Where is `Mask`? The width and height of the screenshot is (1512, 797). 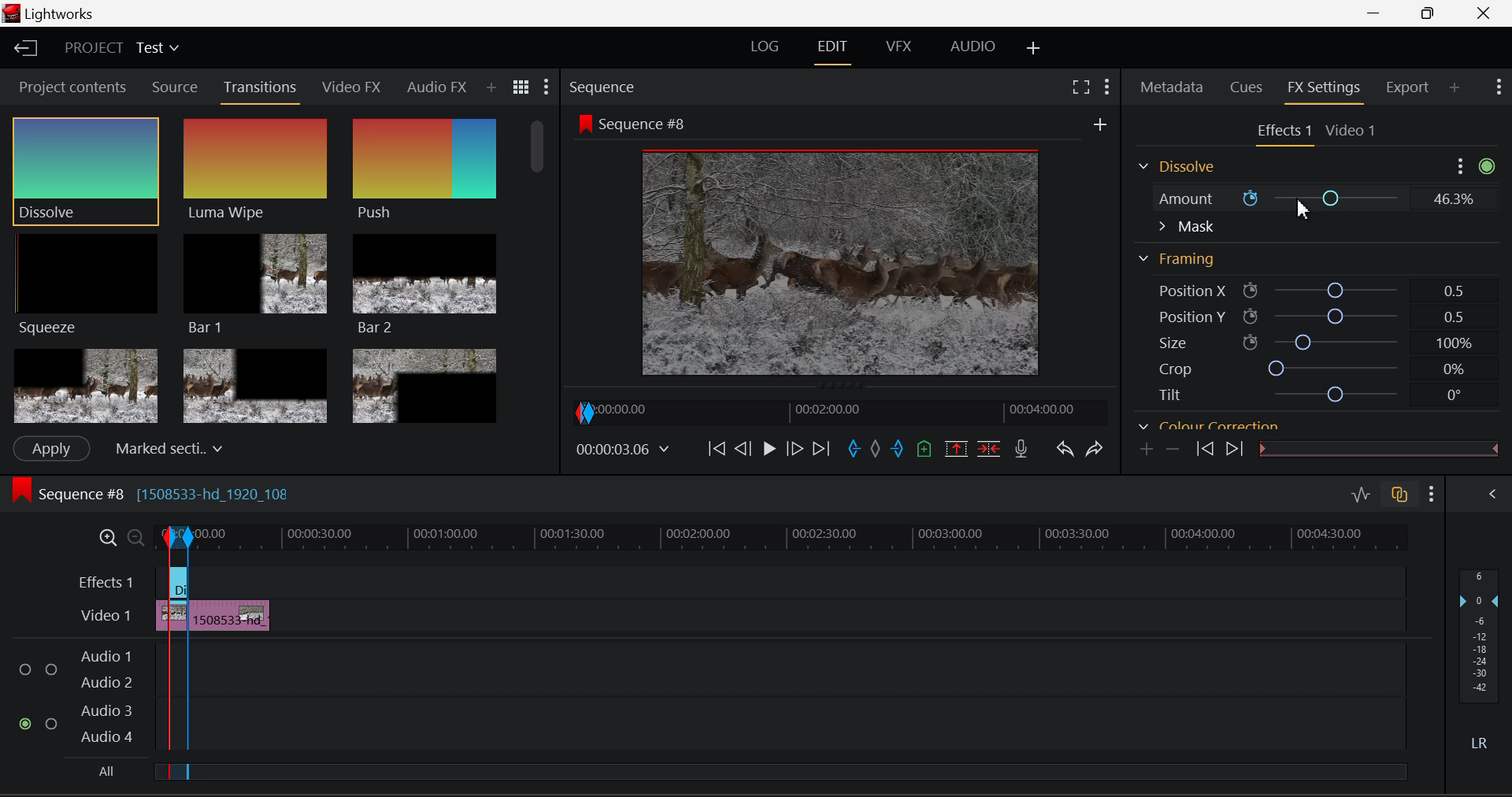 Mask is located at coordinates (1186, 227).